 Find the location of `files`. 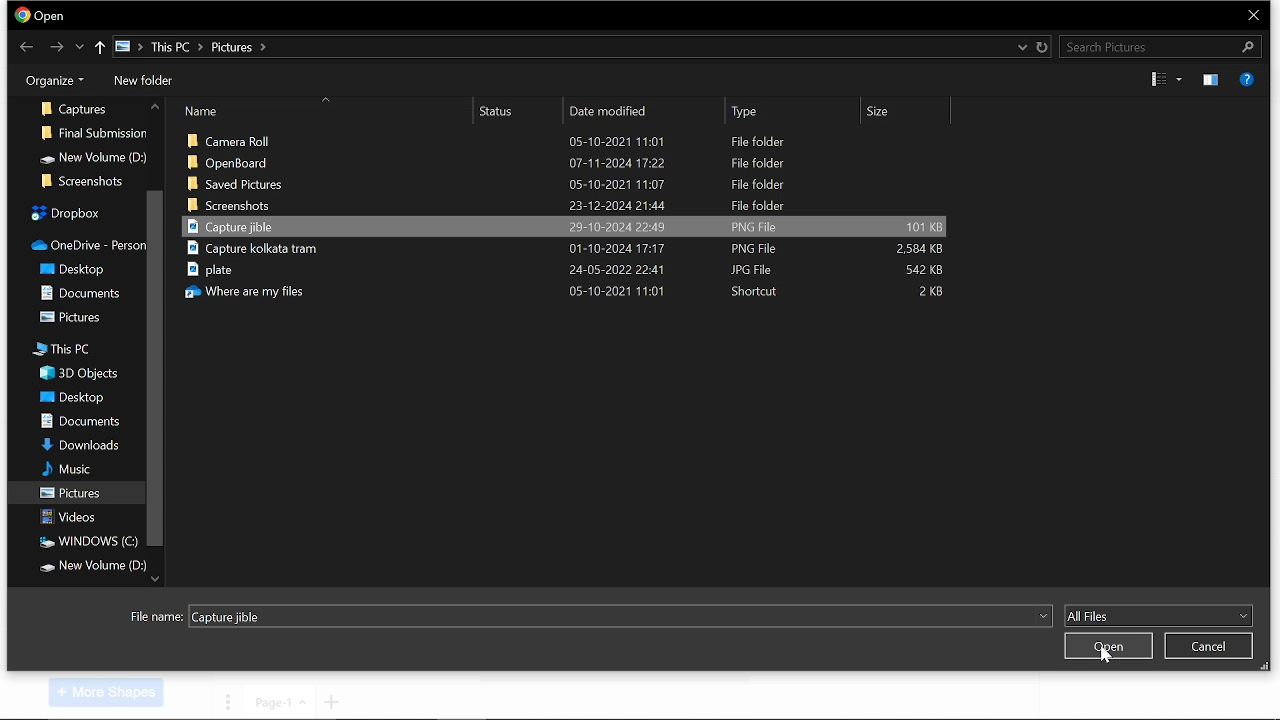

files is located at coordinates (573, 138).